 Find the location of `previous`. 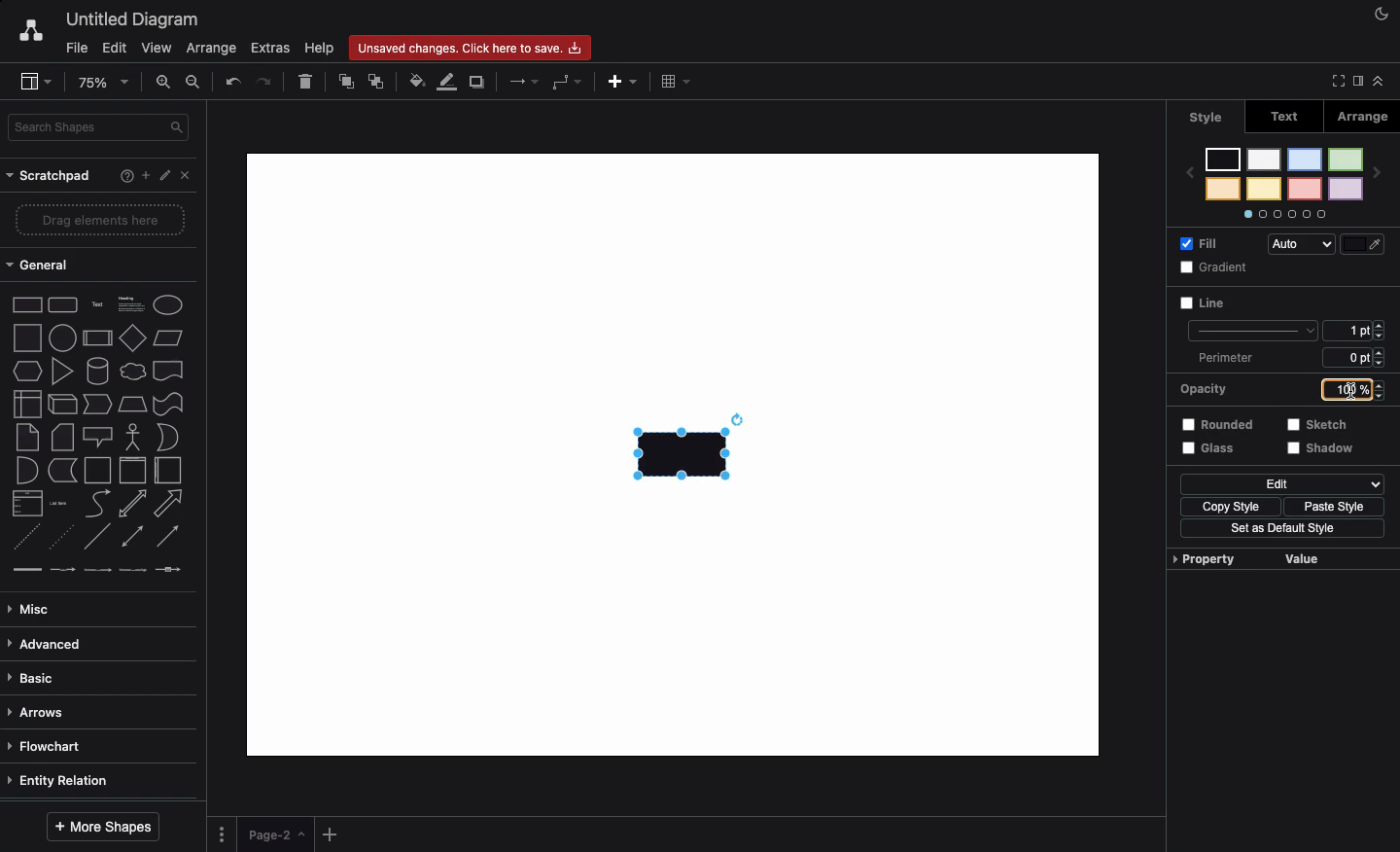

previous is located at coordinates (1188, 171).